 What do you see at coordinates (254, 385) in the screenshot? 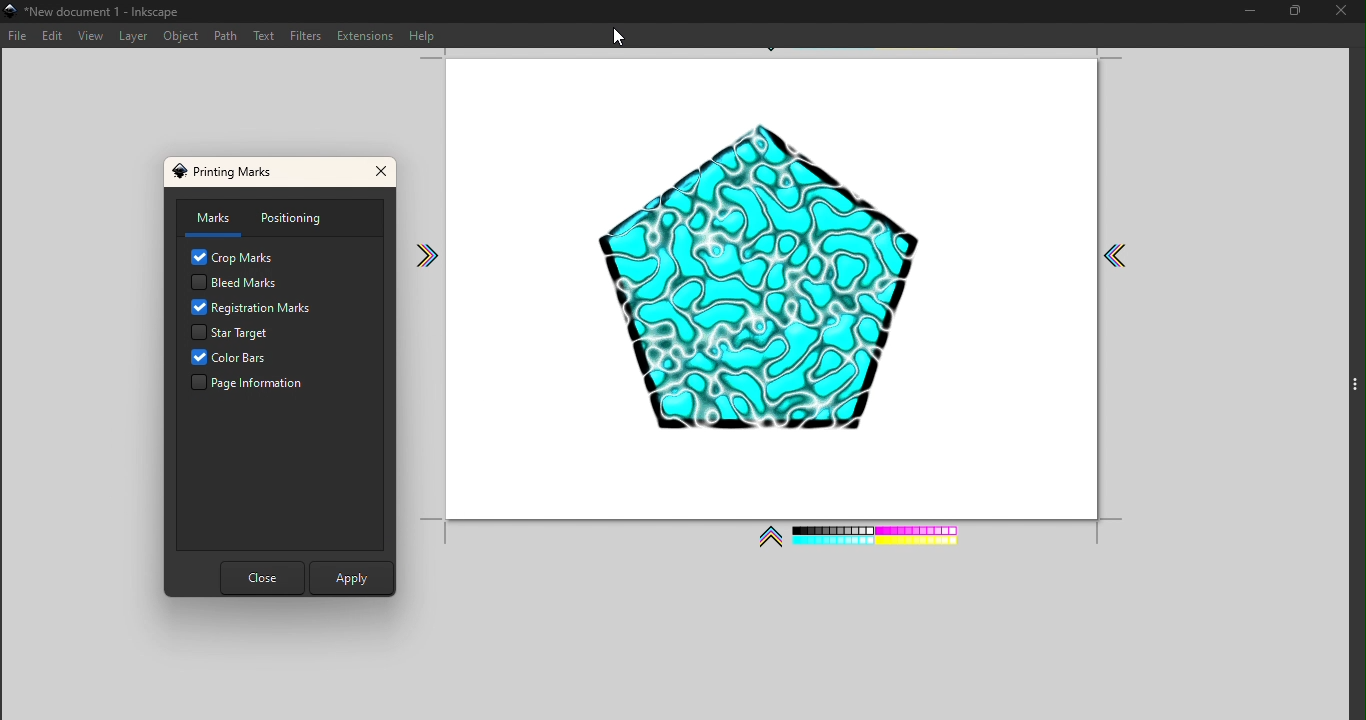
I see `Page Information` at bounding box center [254, 385].